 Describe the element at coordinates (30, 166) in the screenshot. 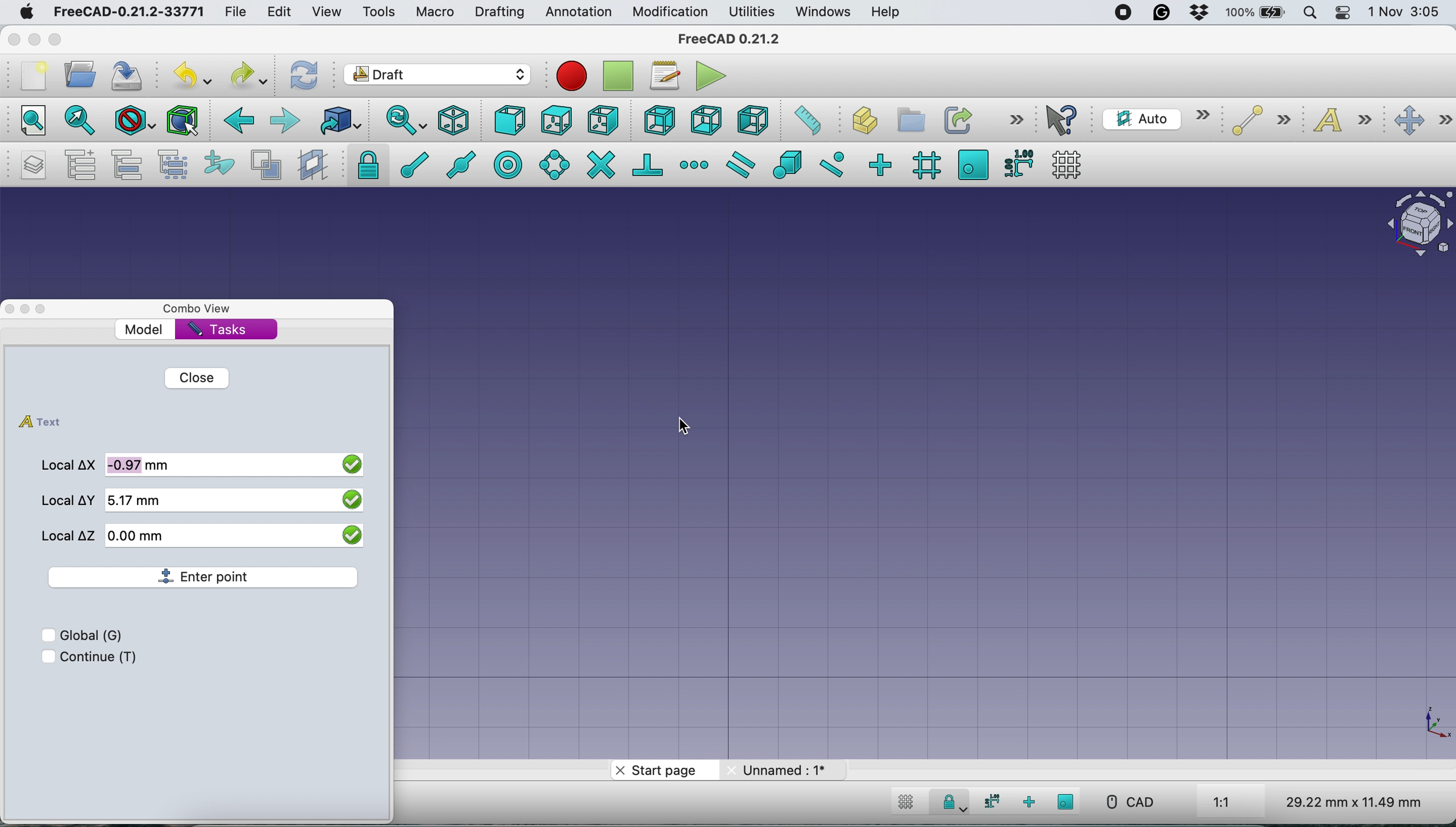

I see `manage layers` at that location.